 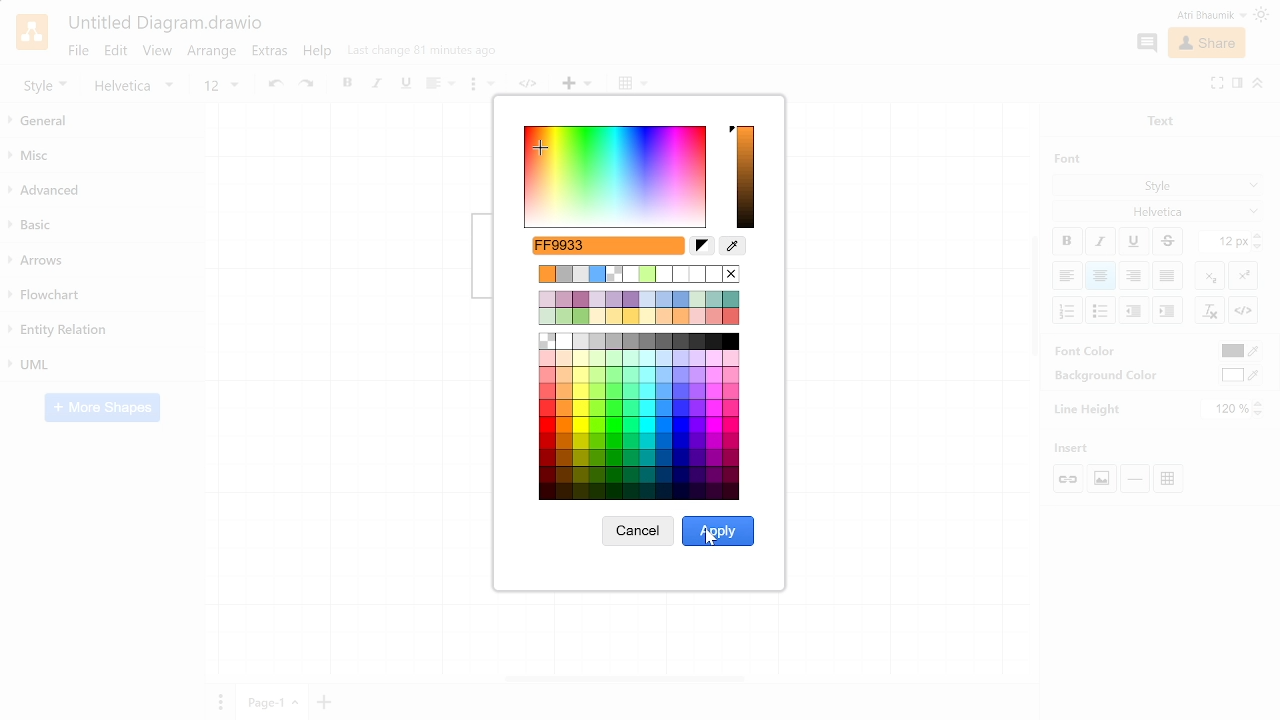 I want to click on Italic, so click(x=1100, y=242).